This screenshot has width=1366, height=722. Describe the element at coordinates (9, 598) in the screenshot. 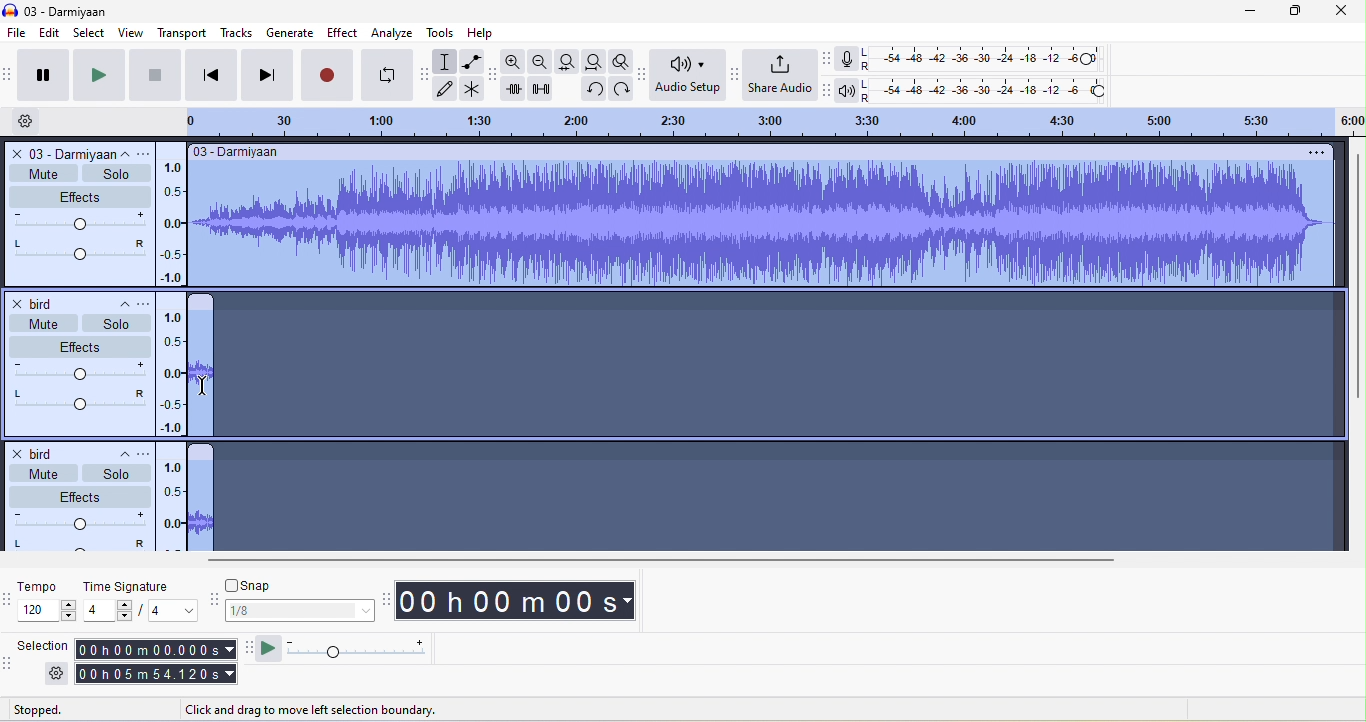

I see `audacity time selection toolbar` at that location.